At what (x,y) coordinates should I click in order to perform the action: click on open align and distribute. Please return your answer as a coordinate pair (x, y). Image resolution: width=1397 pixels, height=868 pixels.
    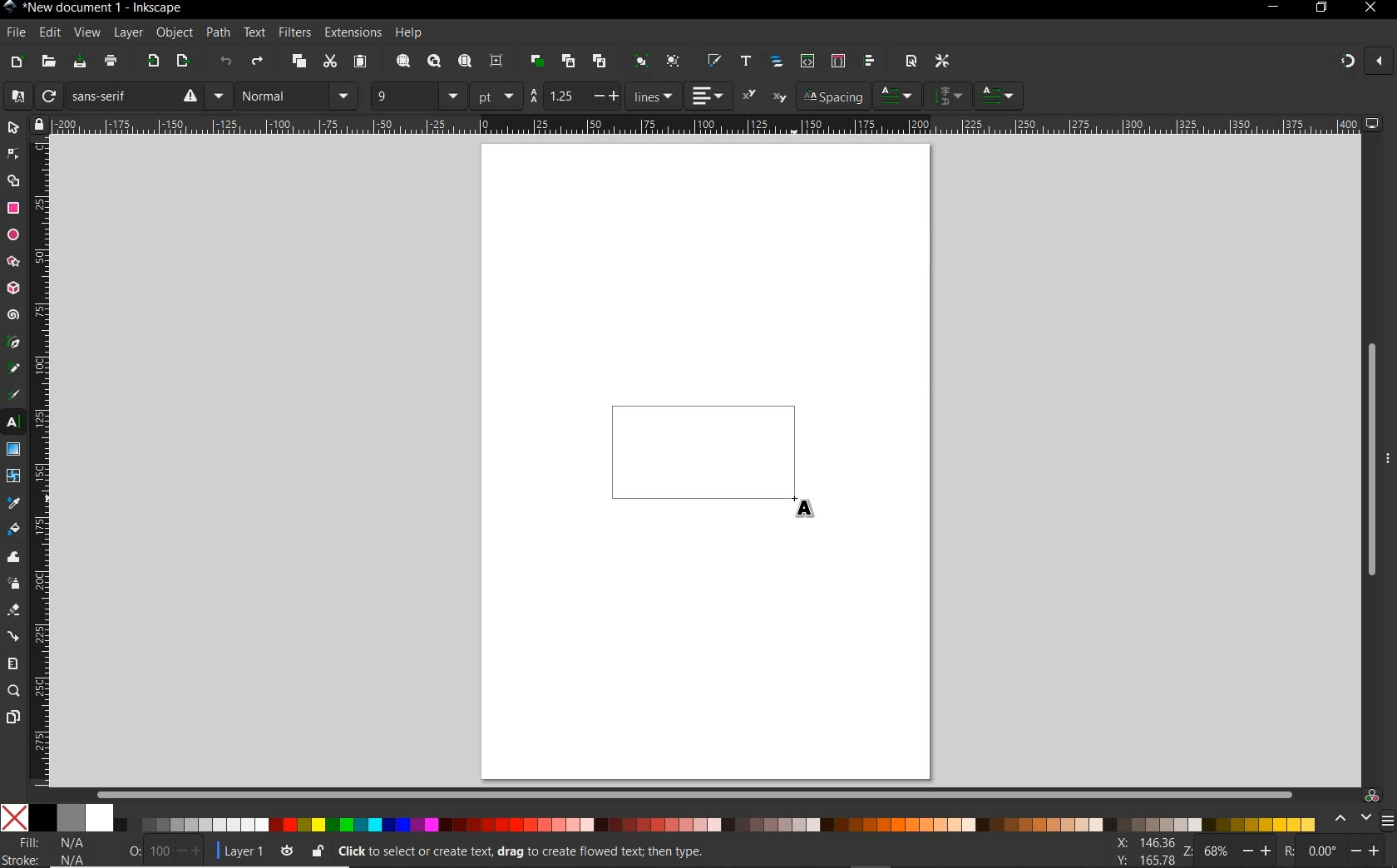
    Looking at the image, I should click on (868, 61).